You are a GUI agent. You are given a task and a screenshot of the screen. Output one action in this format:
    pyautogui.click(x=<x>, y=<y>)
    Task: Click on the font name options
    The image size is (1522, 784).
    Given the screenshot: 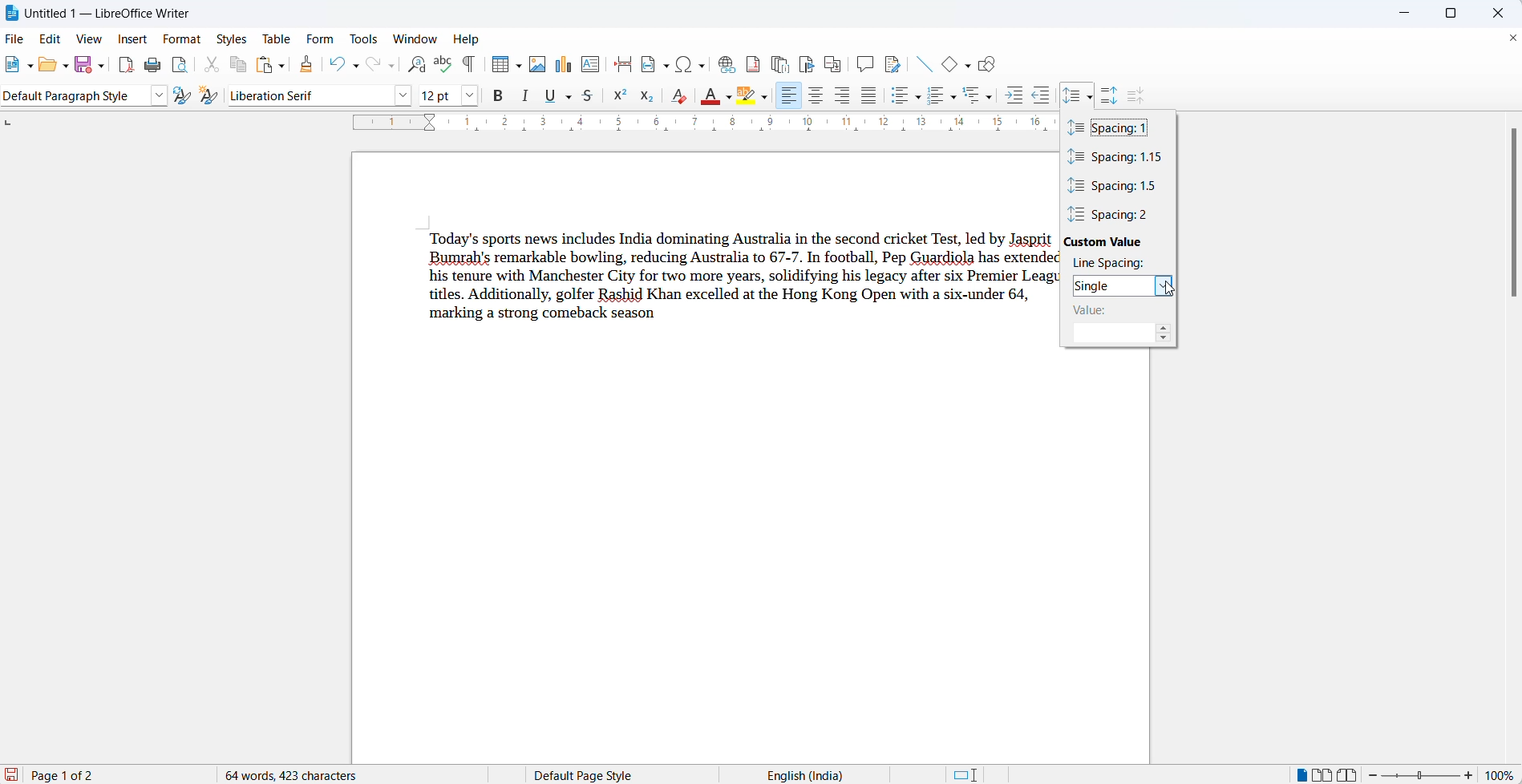 What is the action you would take?
    pyautogui.click(x=401, y=96)
    